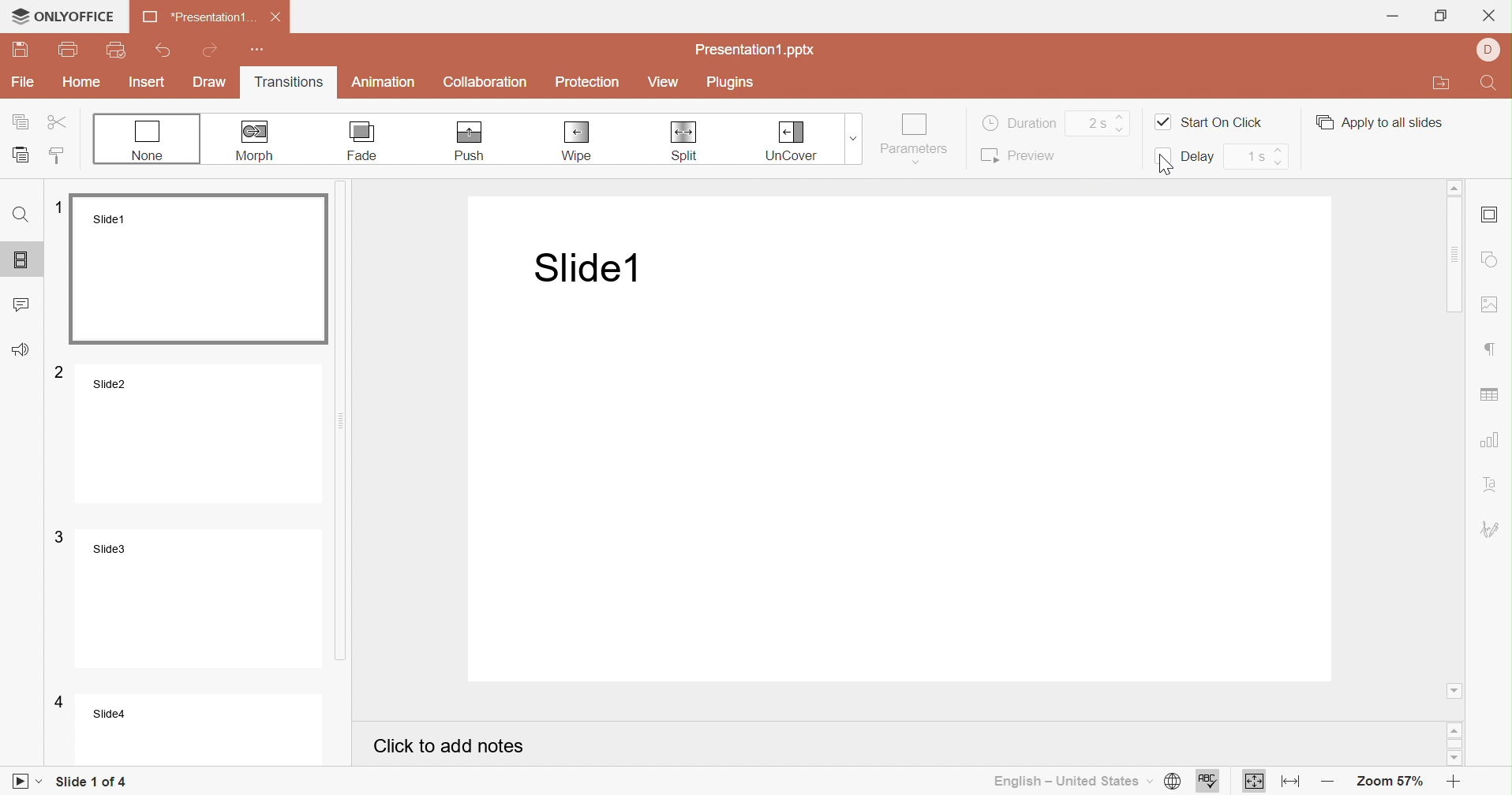  Describe the element at coordinates (664, 83) in the screenshot. I see `View` at that location.